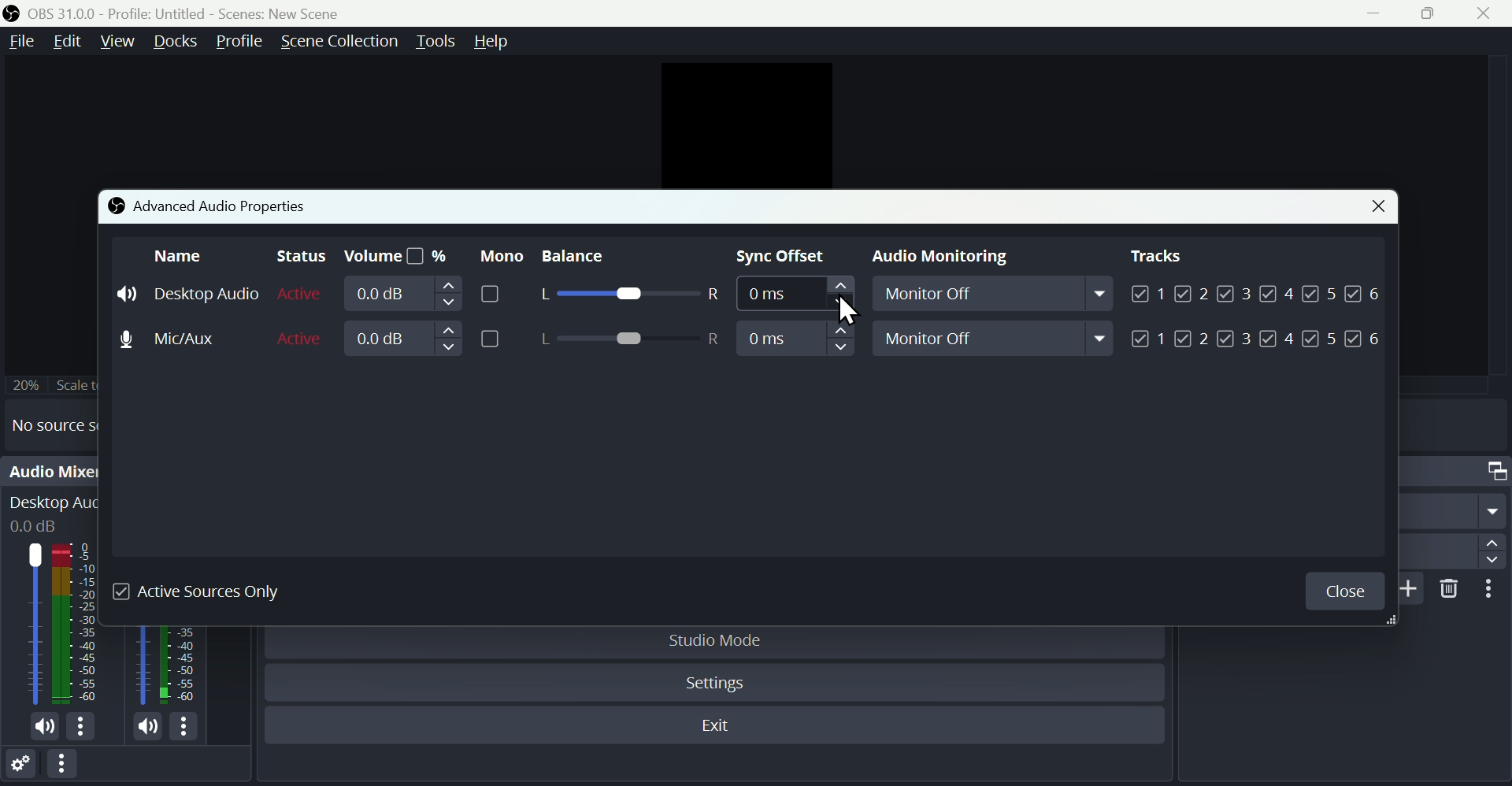 Image resolution: width=1512 pixels, height=786 pixels. Describe the element at coordinates (1488, 13) in the screenshot. I see `close` at that location.